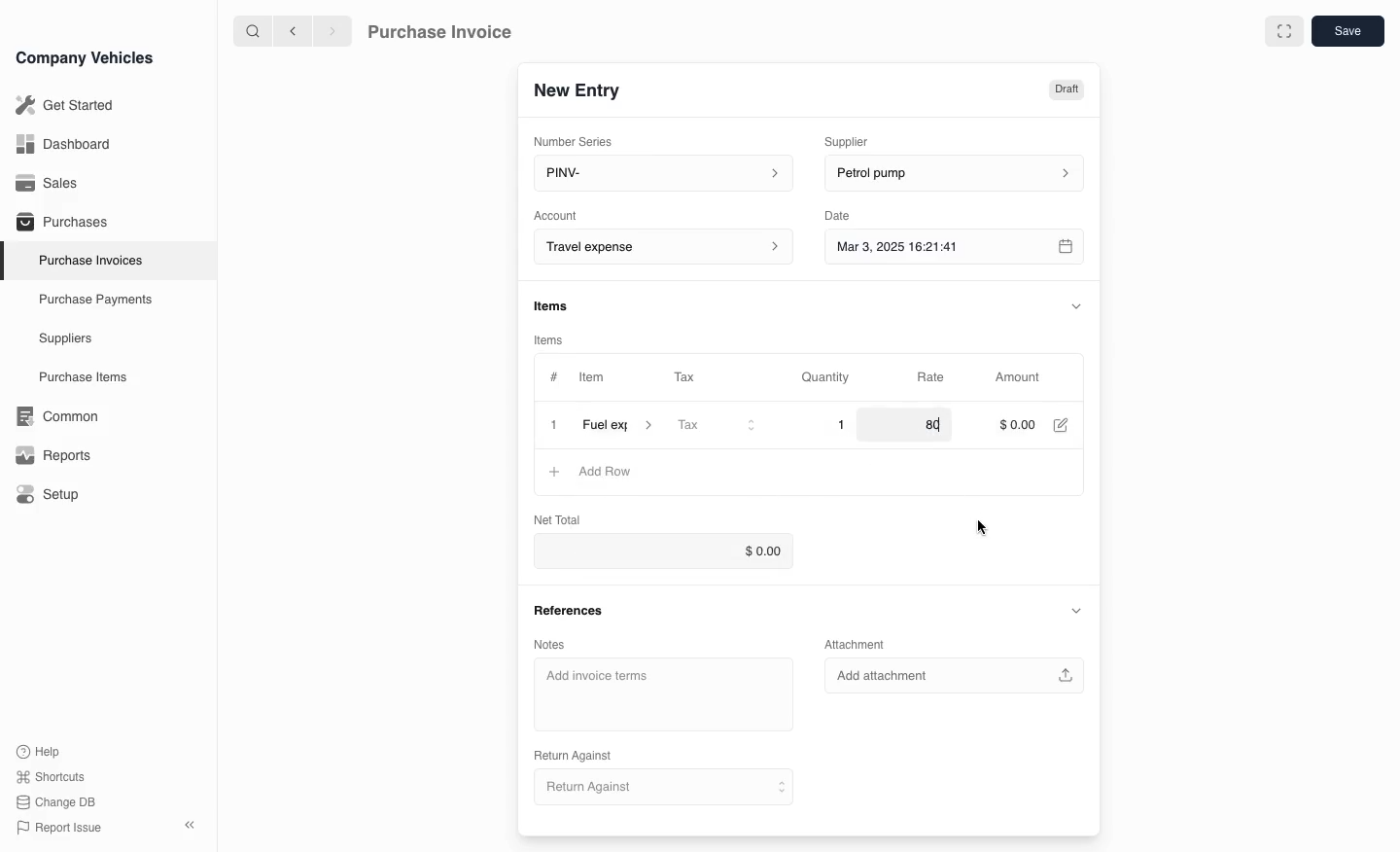  I want to click on Purchase items, so click(76, 377).